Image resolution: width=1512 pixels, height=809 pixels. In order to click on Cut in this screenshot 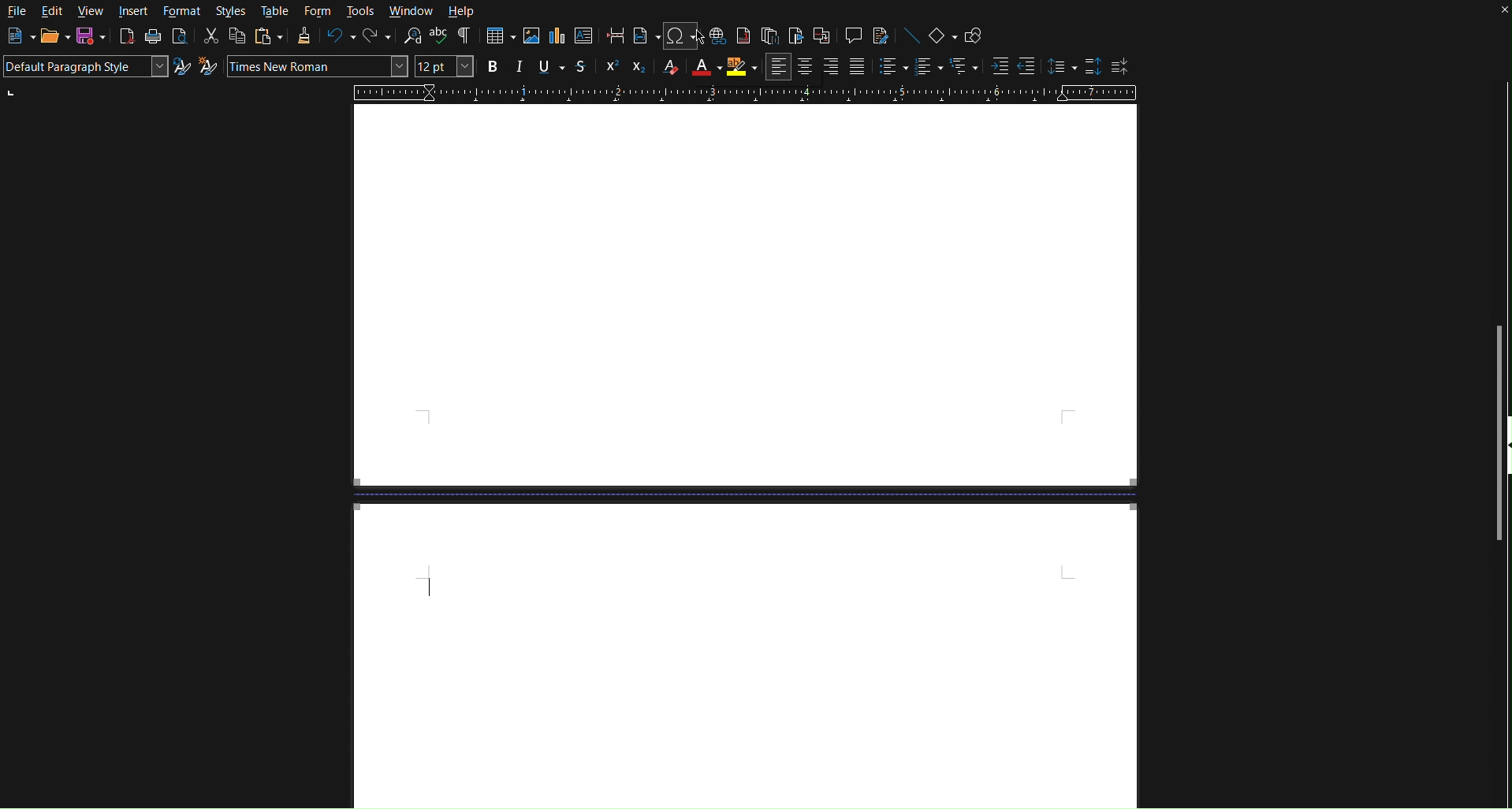, I will do `click(211, 36)`.